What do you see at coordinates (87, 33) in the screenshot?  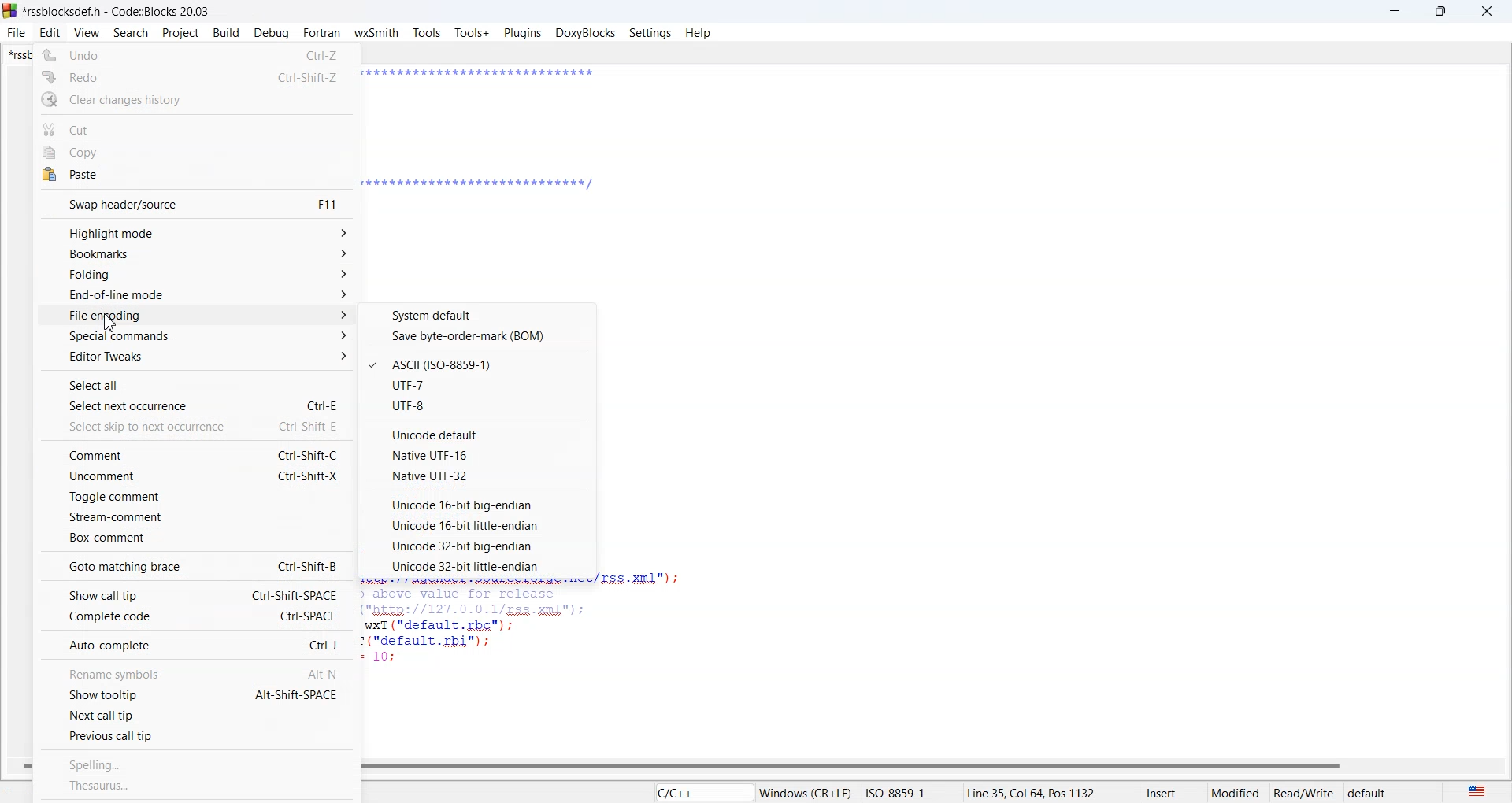 I see `View` at bounding box center [87, 33].